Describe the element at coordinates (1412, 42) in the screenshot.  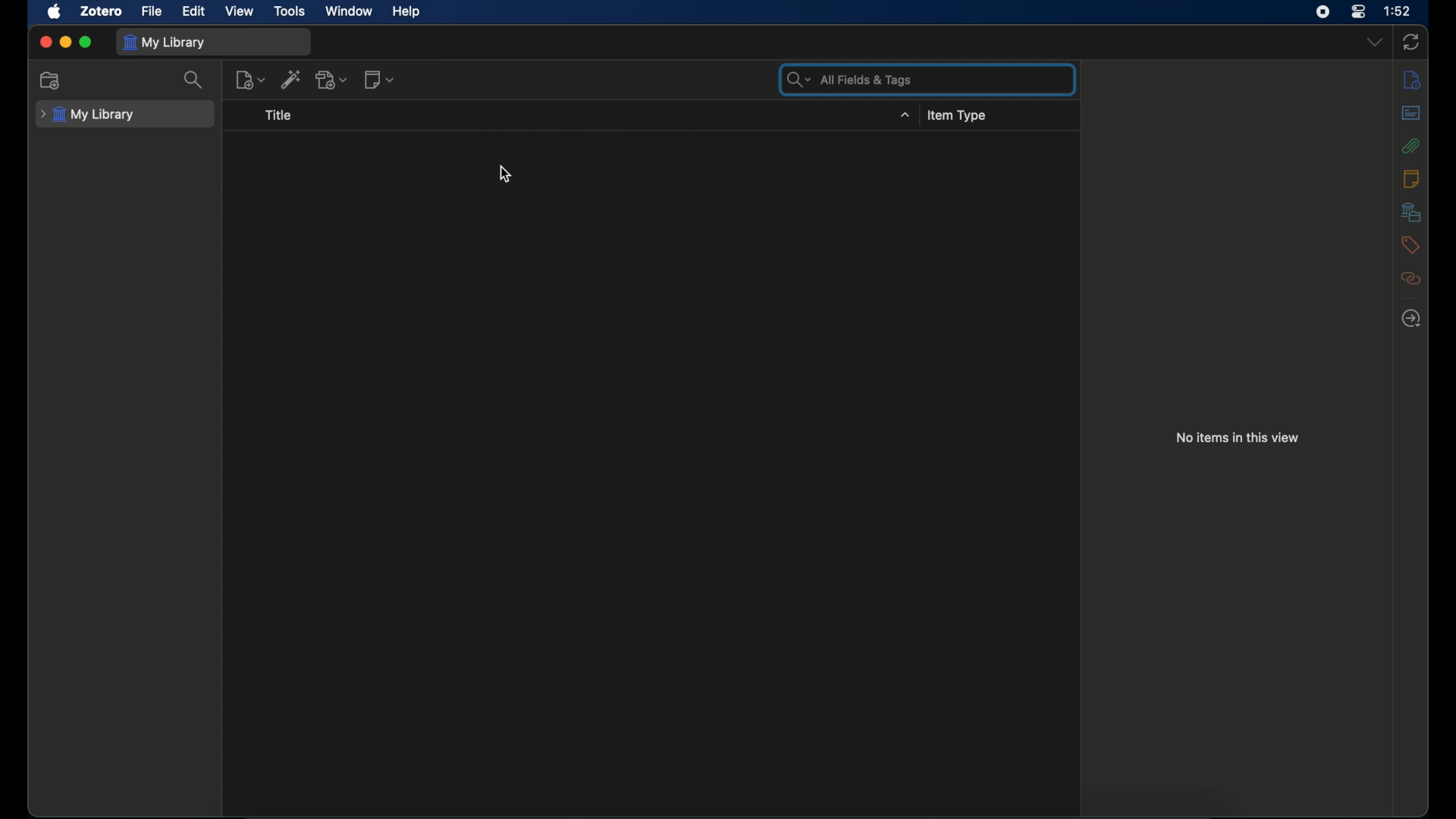
I see `sync` at that location.